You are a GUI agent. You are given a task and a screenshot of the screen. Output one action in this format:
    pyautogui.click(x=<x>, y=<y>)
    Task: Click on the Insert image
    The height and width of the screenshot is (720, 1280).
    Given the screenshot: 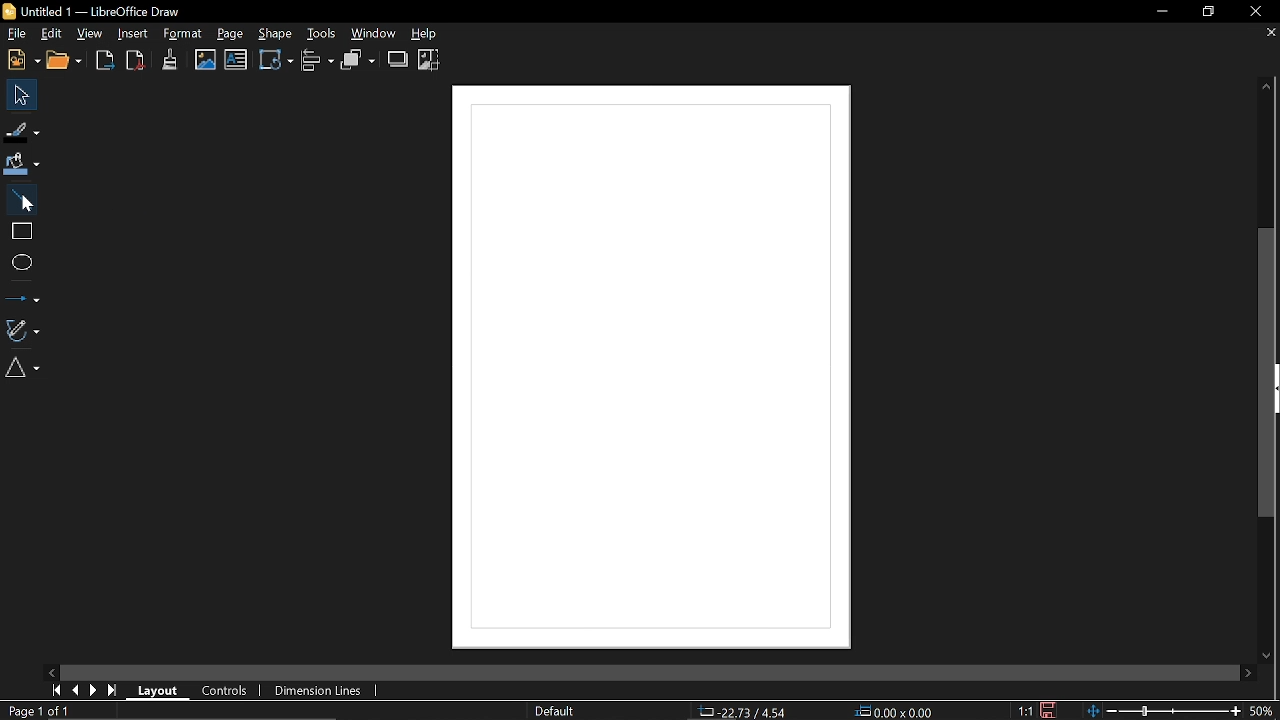 What is the action you would take?
    pyautogui.click(x=206, y=60)
    